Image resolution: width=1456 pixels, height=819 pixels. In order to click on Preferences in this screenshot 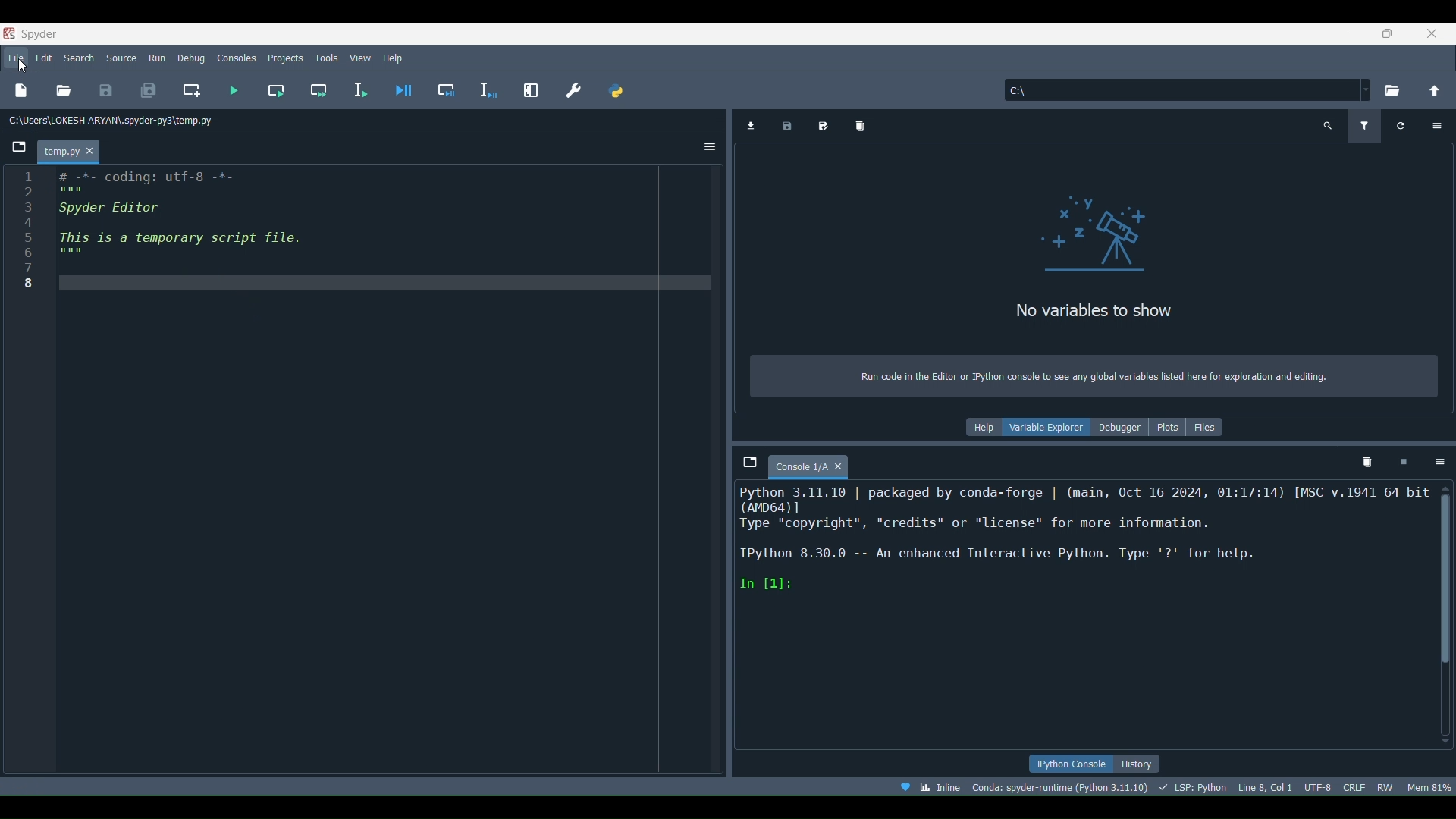, I will do `click(570, 89)`.